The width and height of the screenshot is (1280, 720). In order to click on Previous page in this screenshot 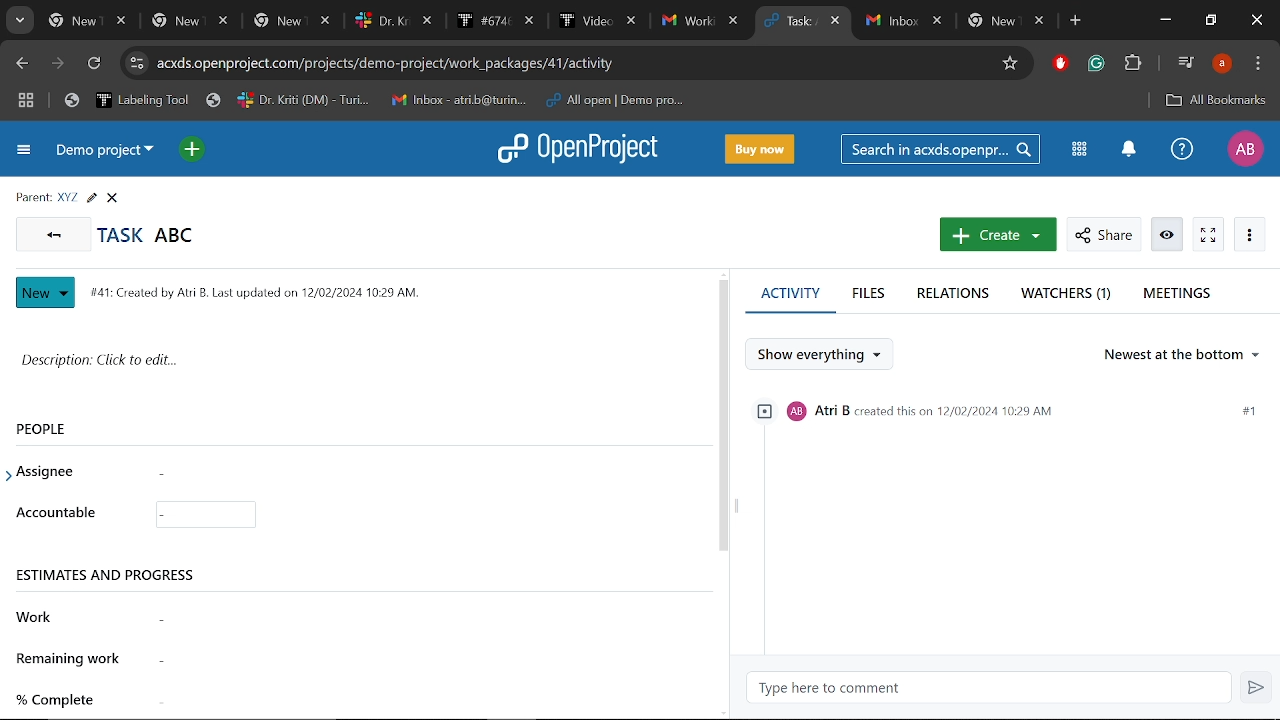, I will do `click(23, 64)`.